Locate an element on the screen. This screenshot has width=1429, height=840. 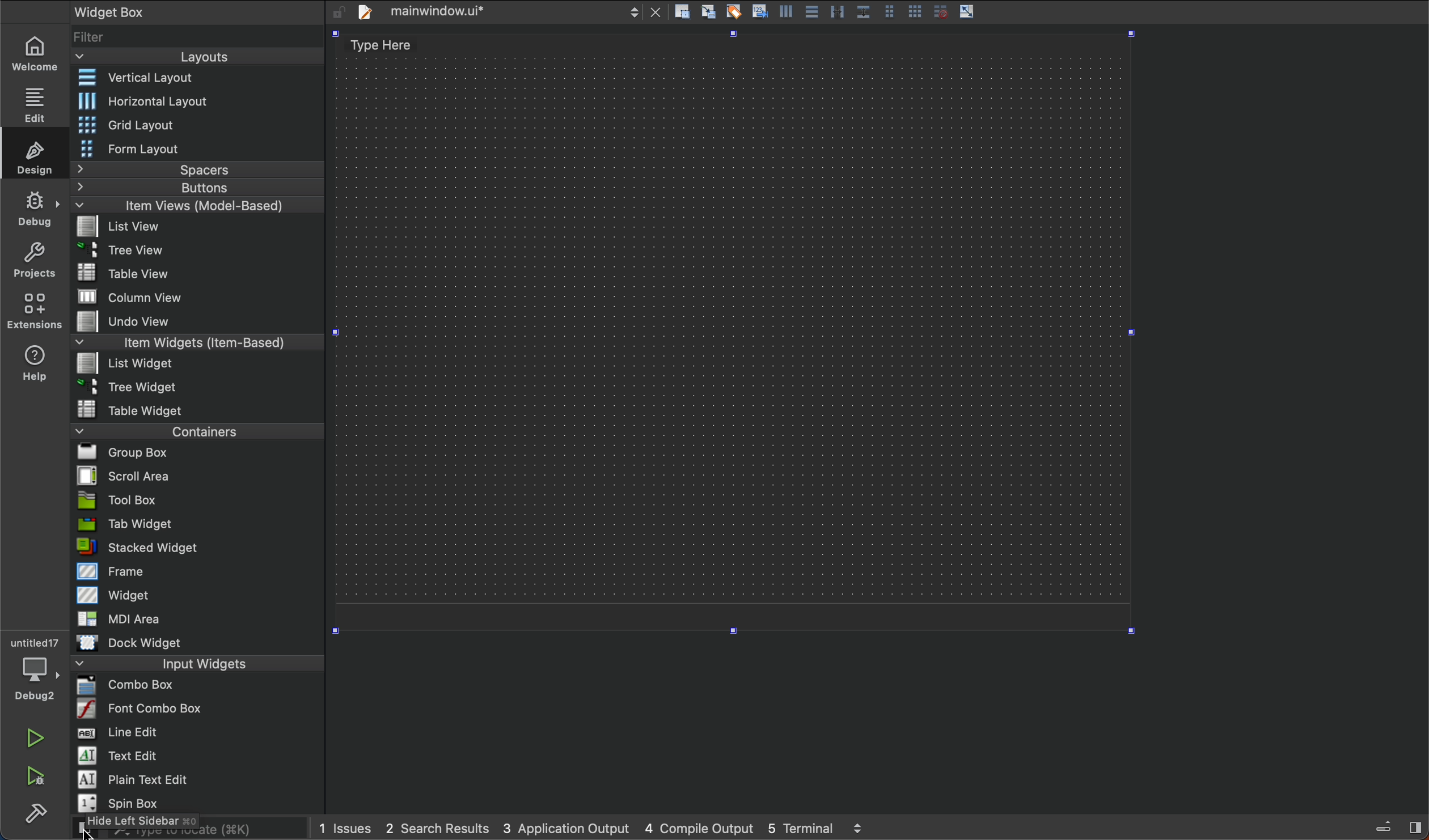
Form Layout is located at coordinates (129, 150).